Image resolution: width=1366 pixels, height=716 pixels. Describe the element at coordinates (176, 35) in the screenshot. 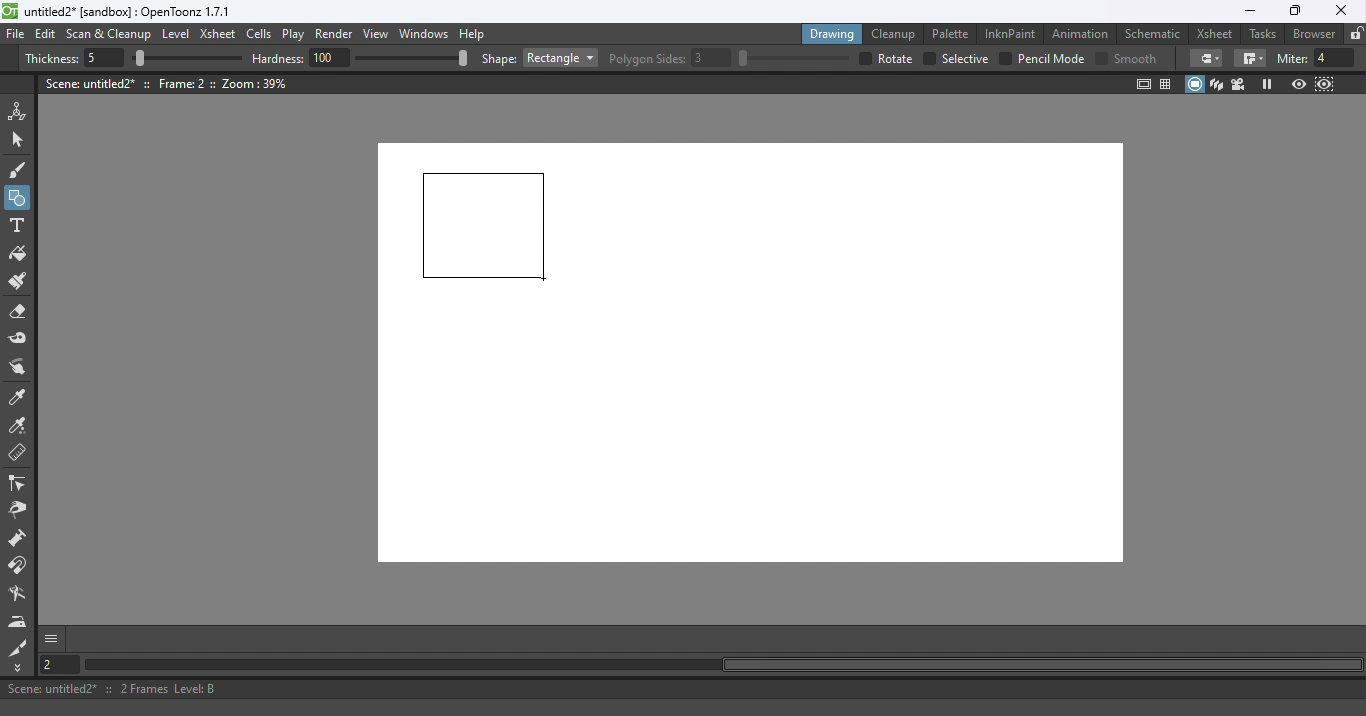

I see `Level` at that location.